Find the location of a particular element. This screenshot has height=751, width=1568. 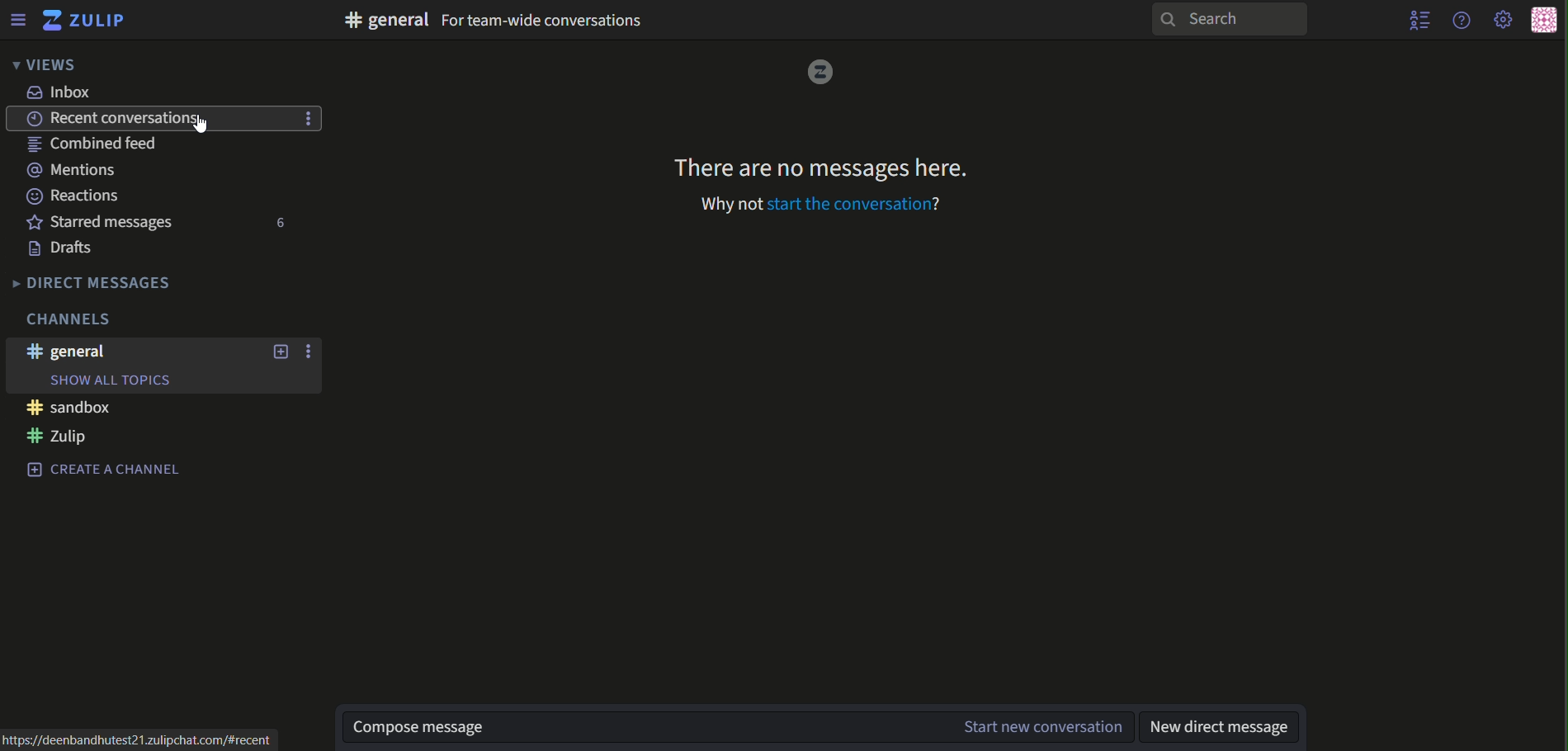

text is located at coordinates (102, 222).